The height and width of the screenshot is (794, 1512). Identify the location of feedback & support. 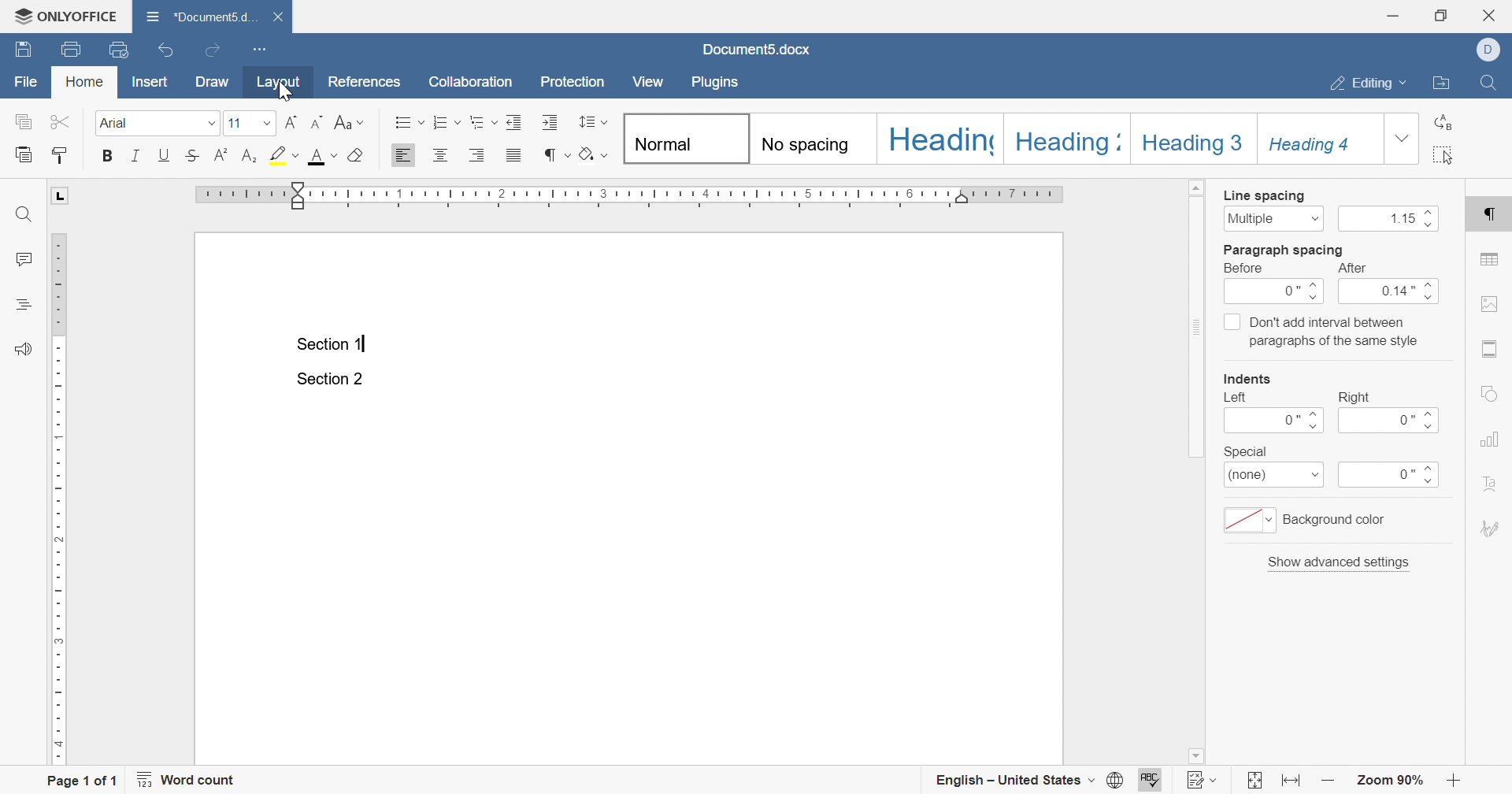
(24, 349).